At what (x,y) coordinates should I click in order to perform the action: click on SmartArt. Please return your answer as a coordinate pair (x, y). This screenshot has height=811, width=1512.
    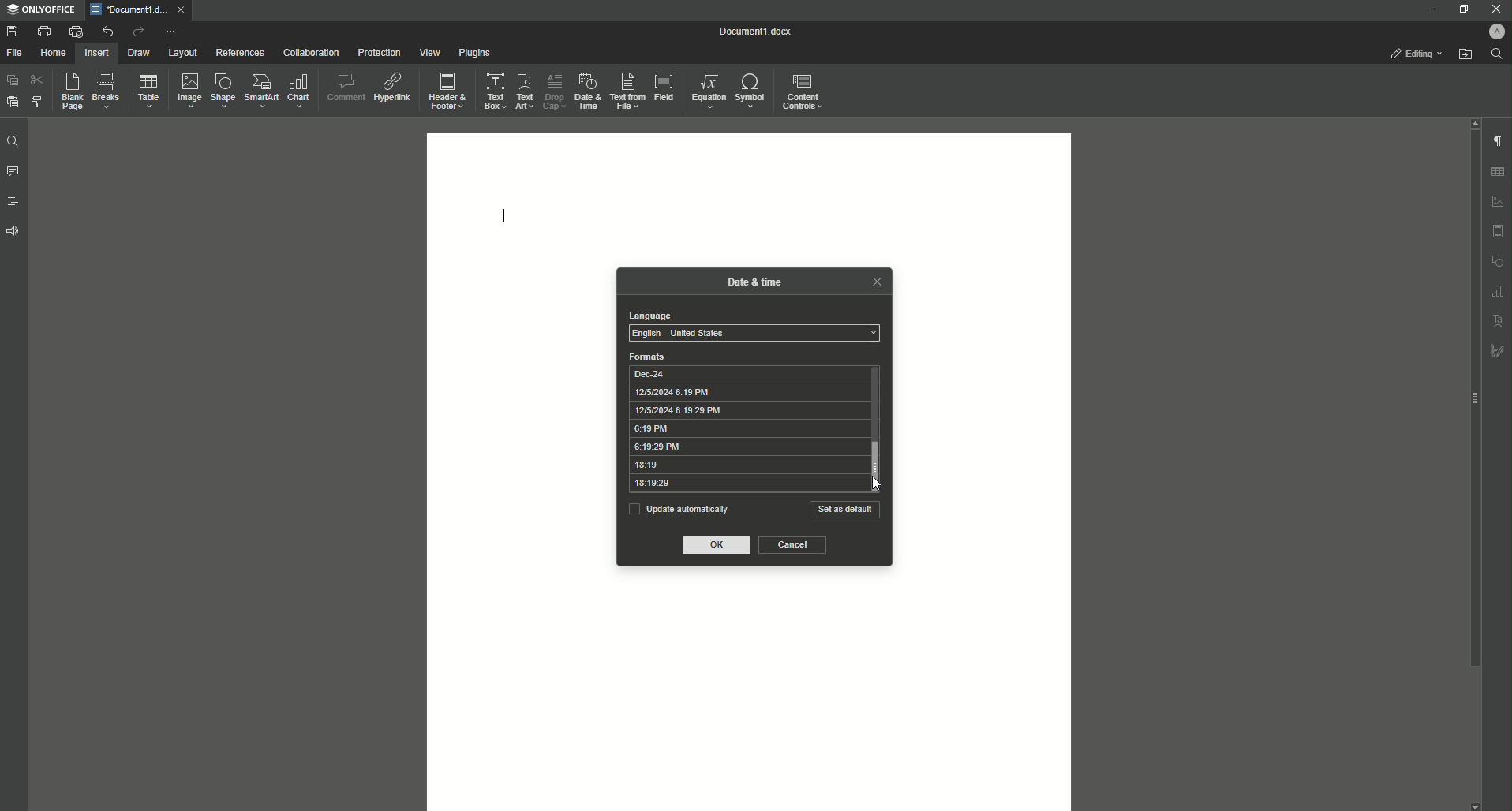
    Looking at the image, I should click on (259, 92).